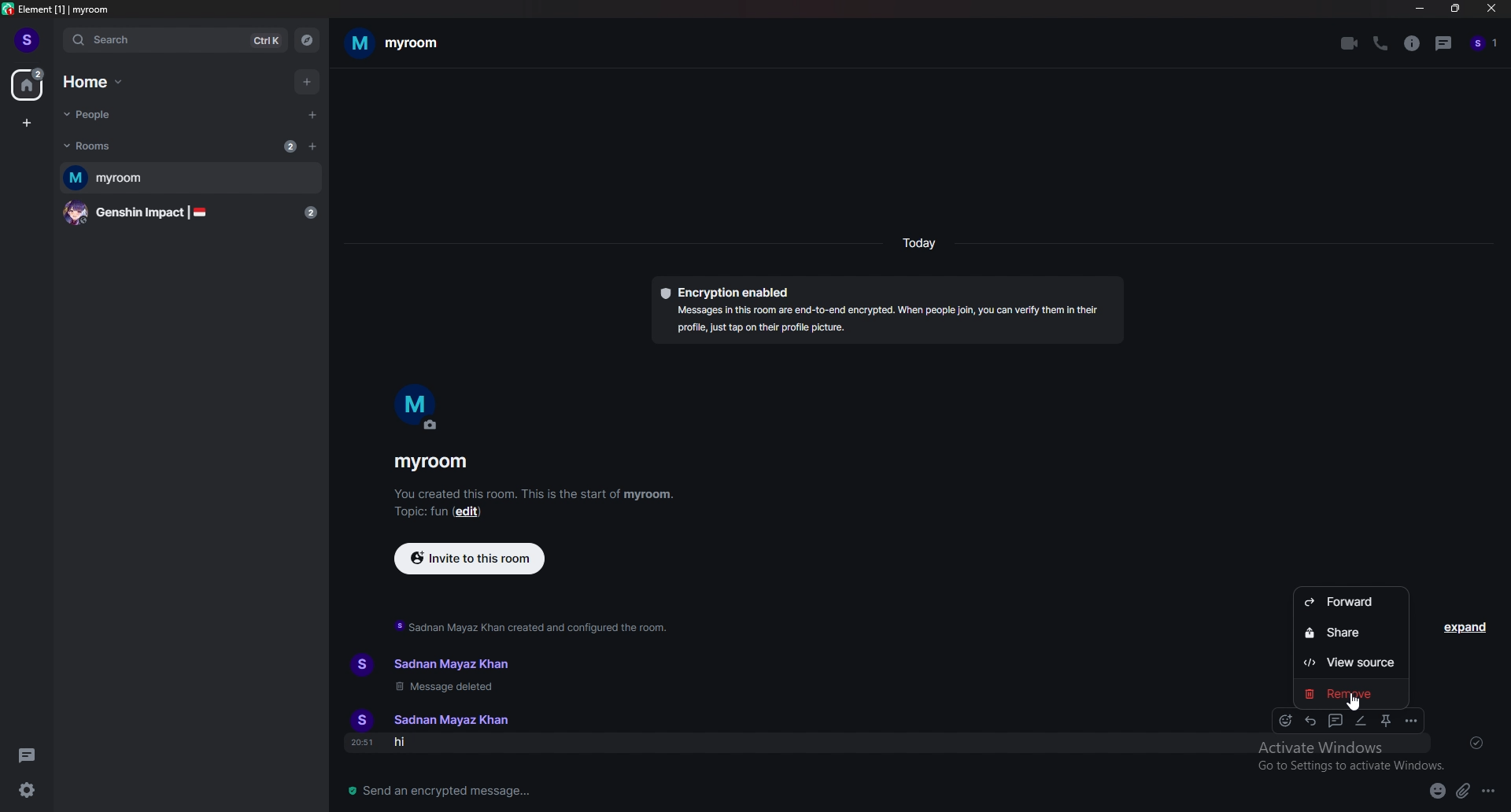 This screenshot has height=812, width=1511. Describe the element at coordinates (470, 792) in the screenshot. I see `send an encrypted message...` at that location.